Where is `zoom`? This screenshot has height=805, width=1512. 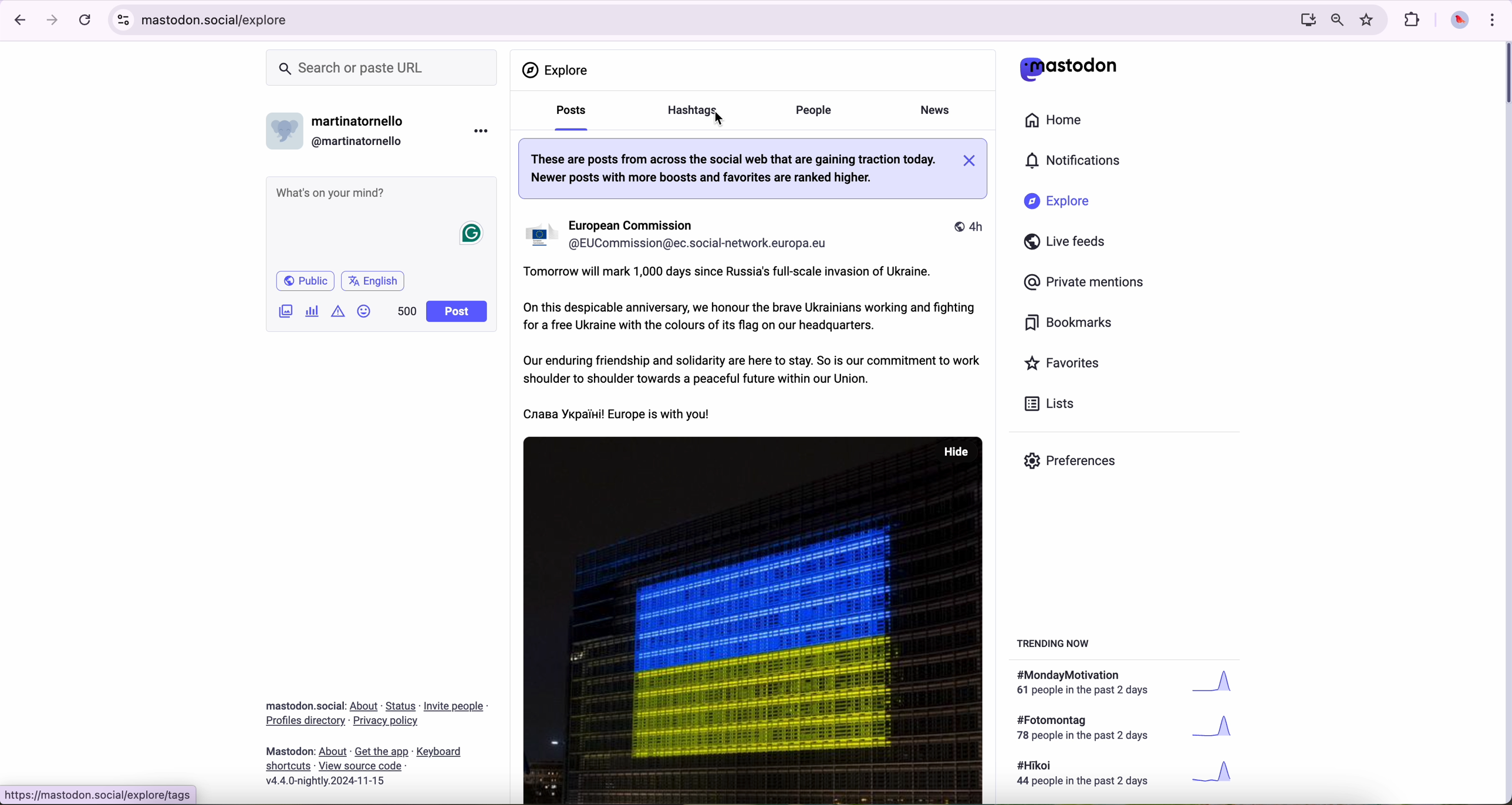 zoom is located at coordinates (1337, 21).